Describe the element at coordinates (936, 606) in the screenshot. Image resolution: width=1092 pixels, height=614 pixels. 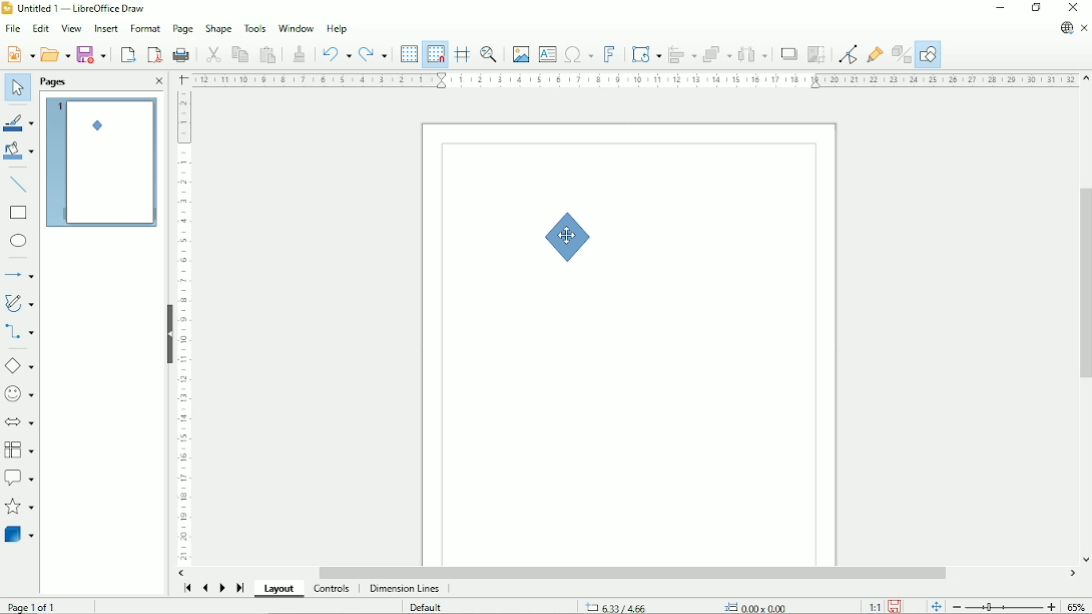
I see `Fit page to current window` at that location.